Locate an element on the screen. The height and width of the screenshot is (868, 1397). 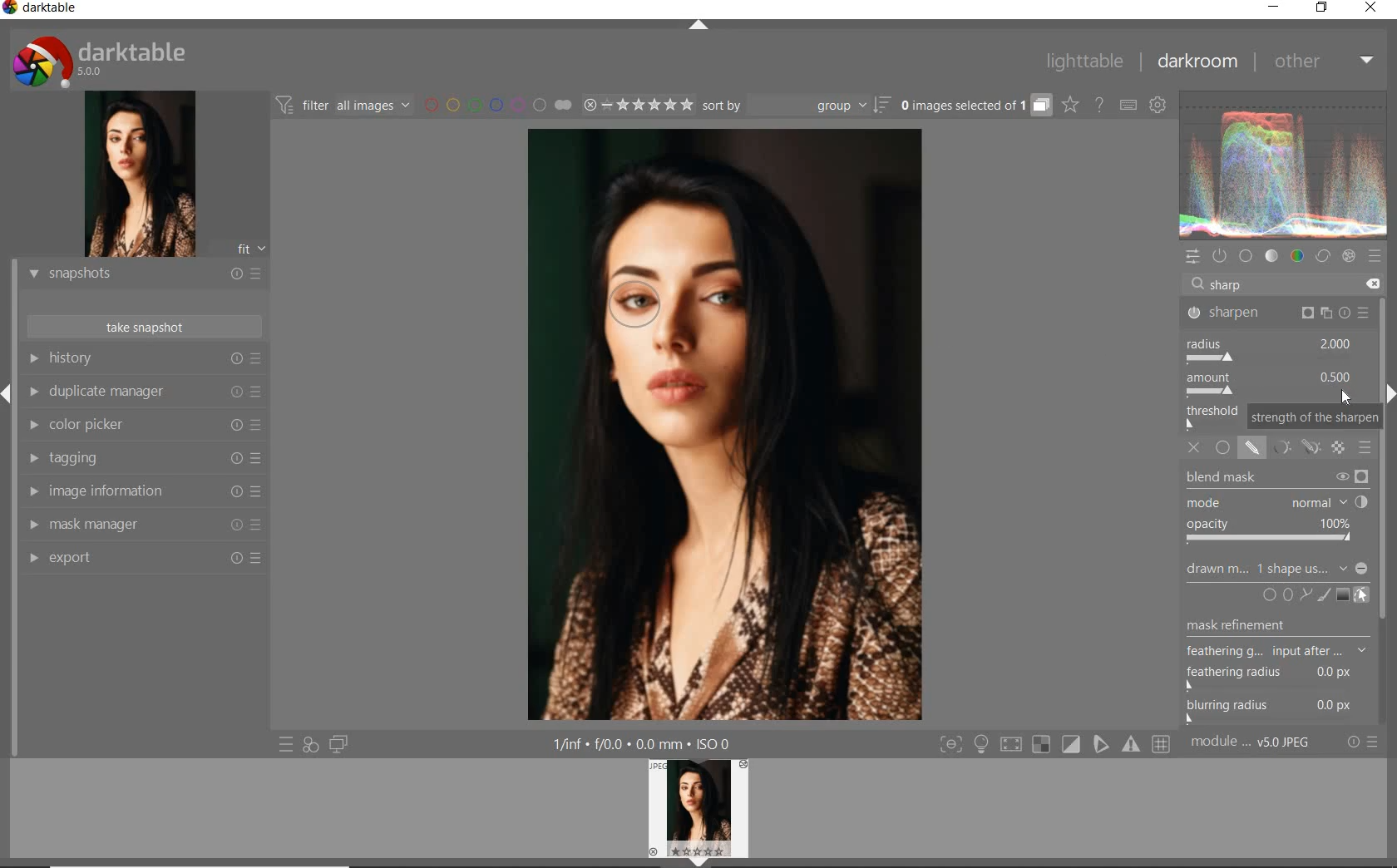
correct is located at coordinates (1323, 257).